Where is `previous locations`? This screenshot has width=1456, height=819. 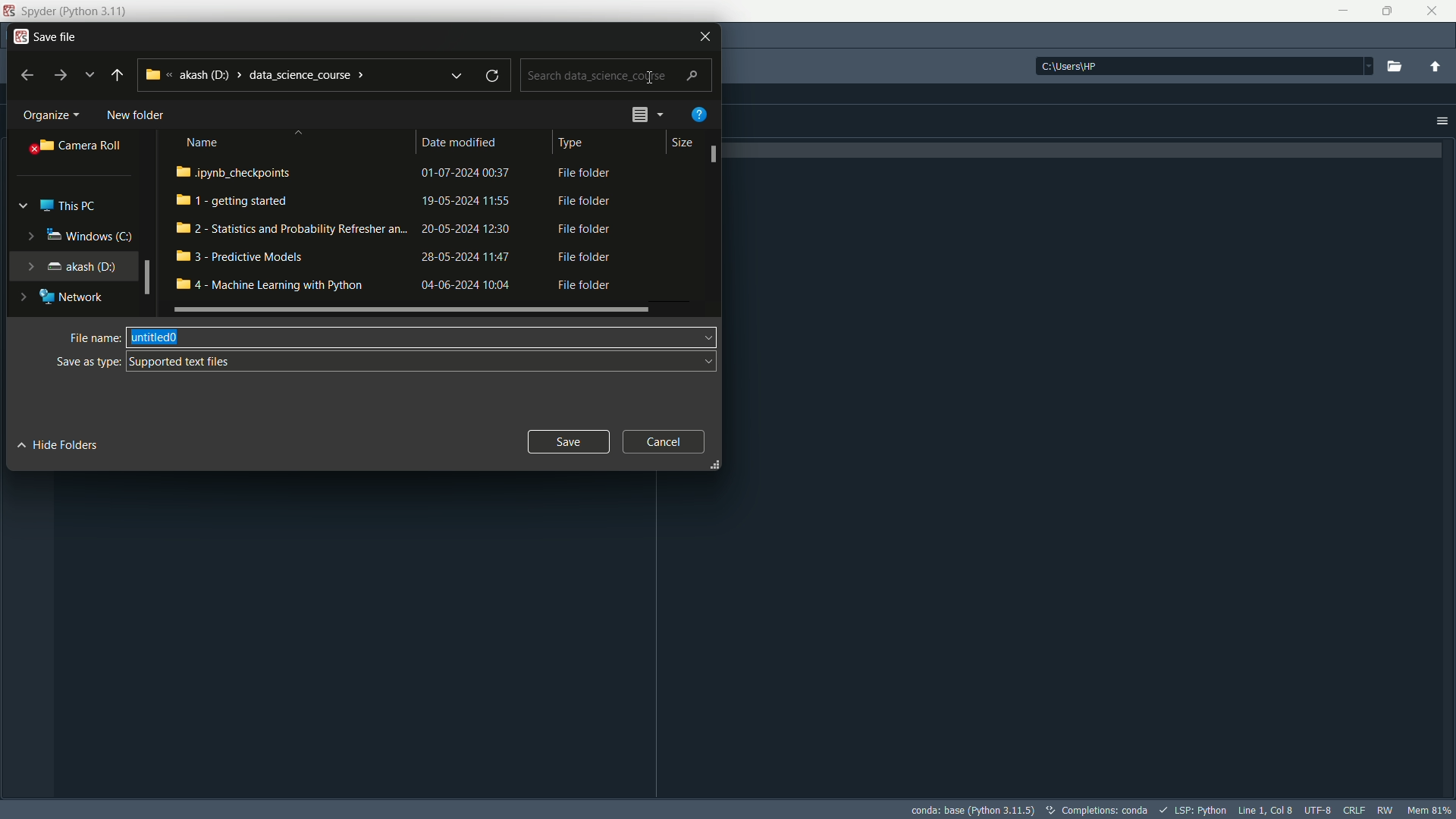
previous locations is located at coordinates (455, 76).